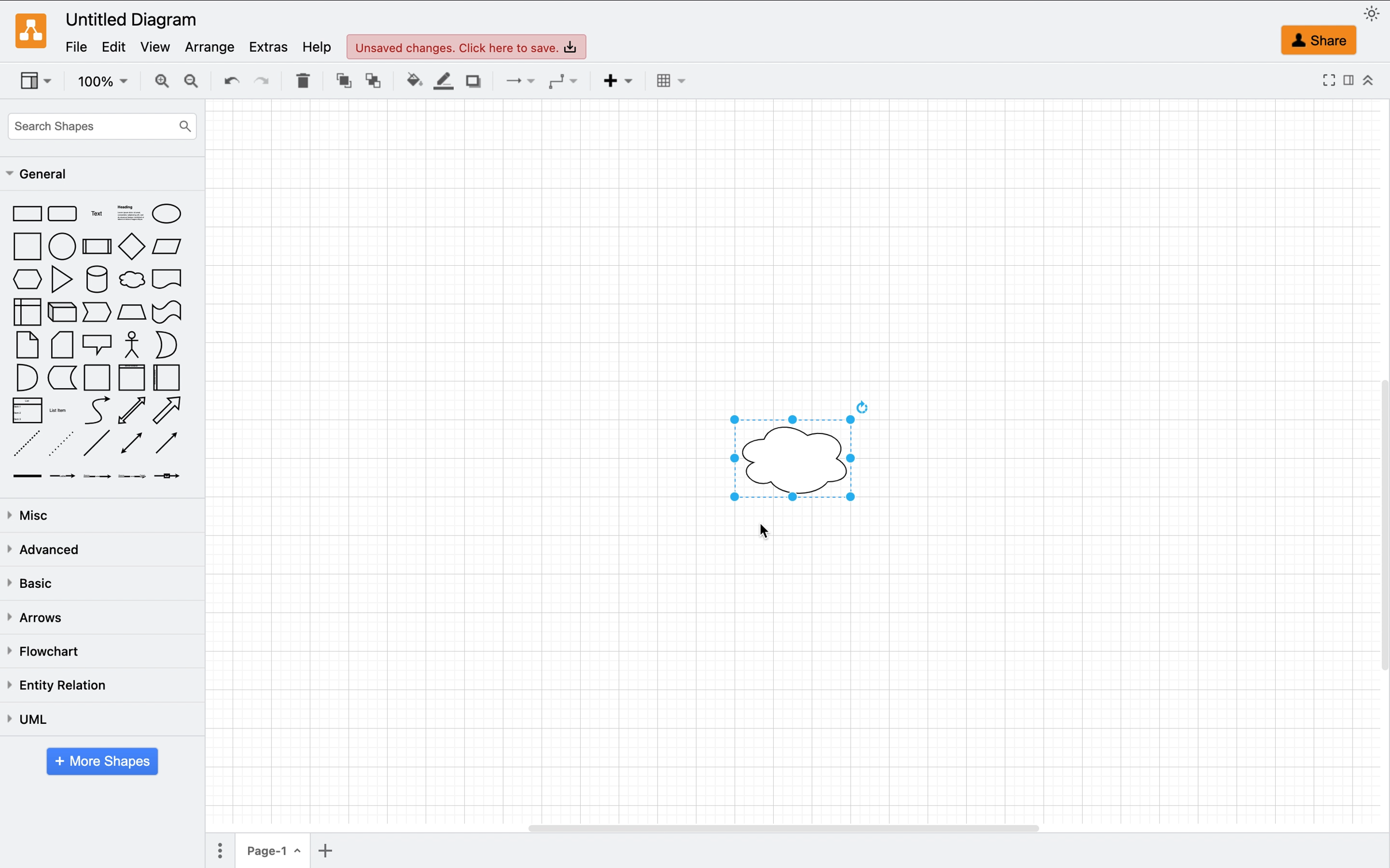  Describe the element at coordinates (176, 83) in the screenshot. I see `zoom in and out` at that location.